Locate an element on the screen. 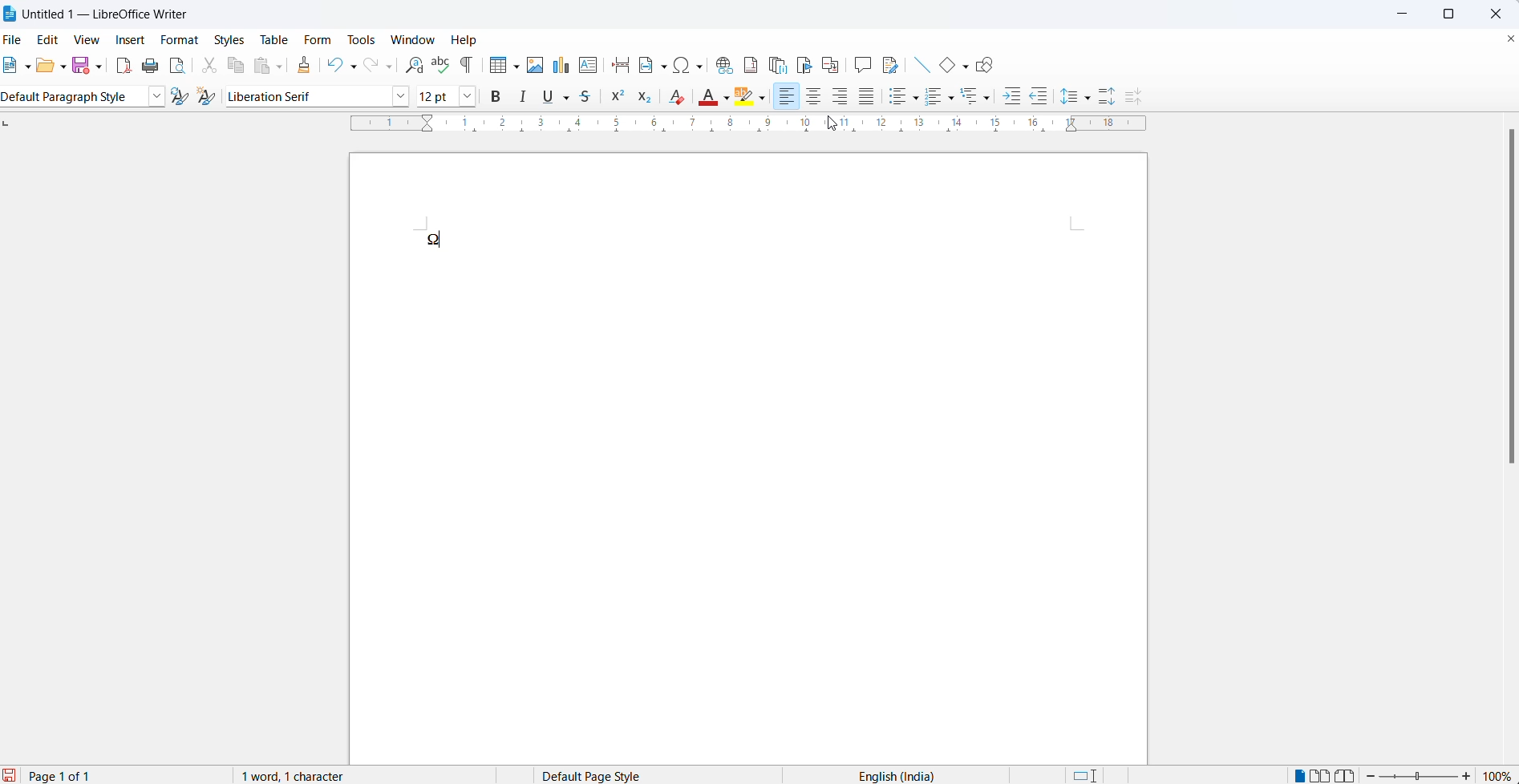  toggle unordered list options is located at coordinates (917, 98).